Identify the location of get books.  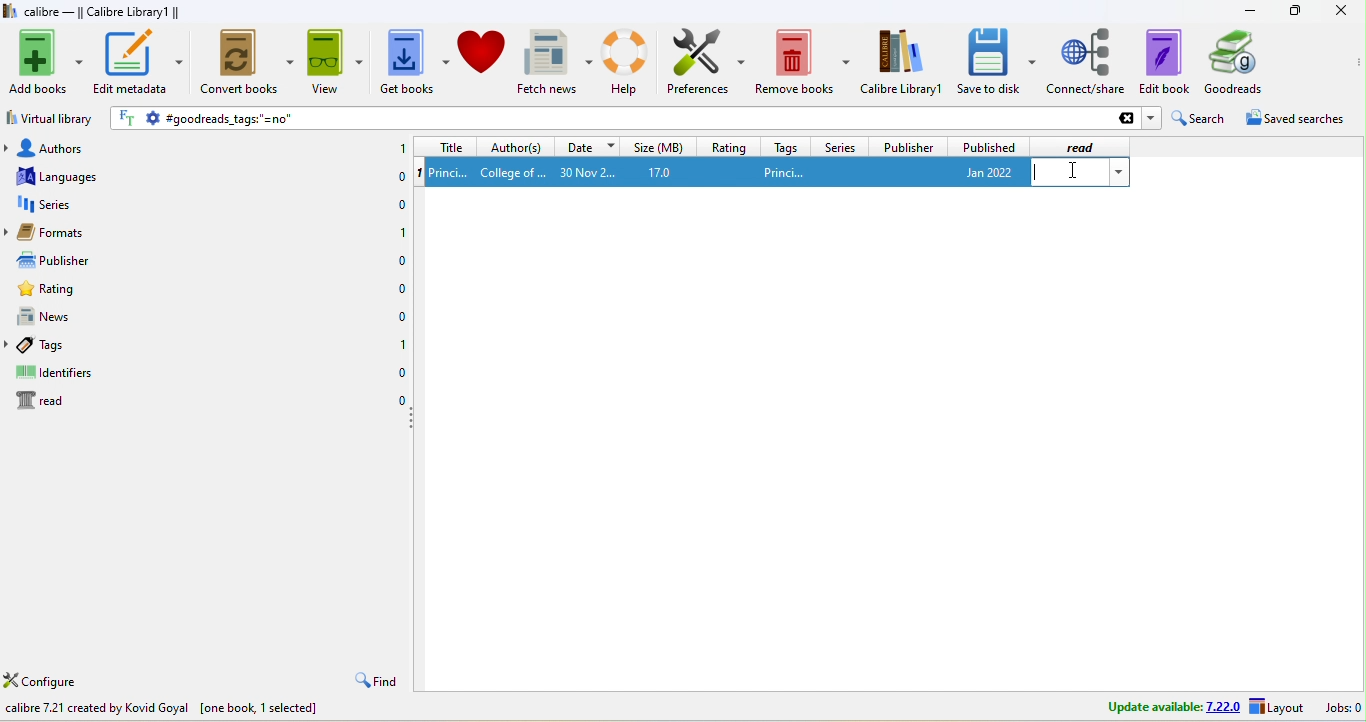
(414, 61).